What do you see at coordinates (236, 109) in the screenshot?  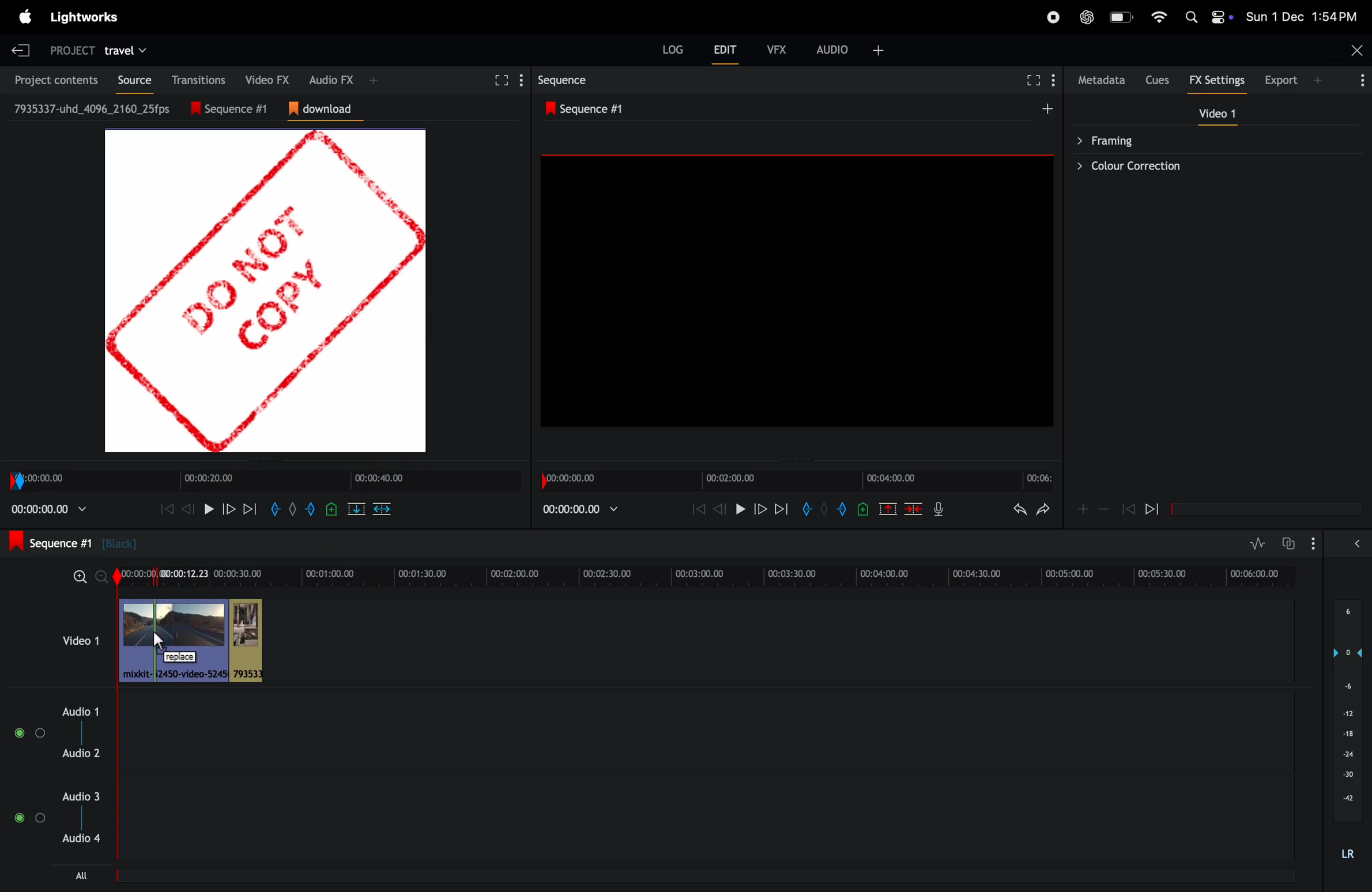 I see `sequence #1` at bounding box center [236, 109].